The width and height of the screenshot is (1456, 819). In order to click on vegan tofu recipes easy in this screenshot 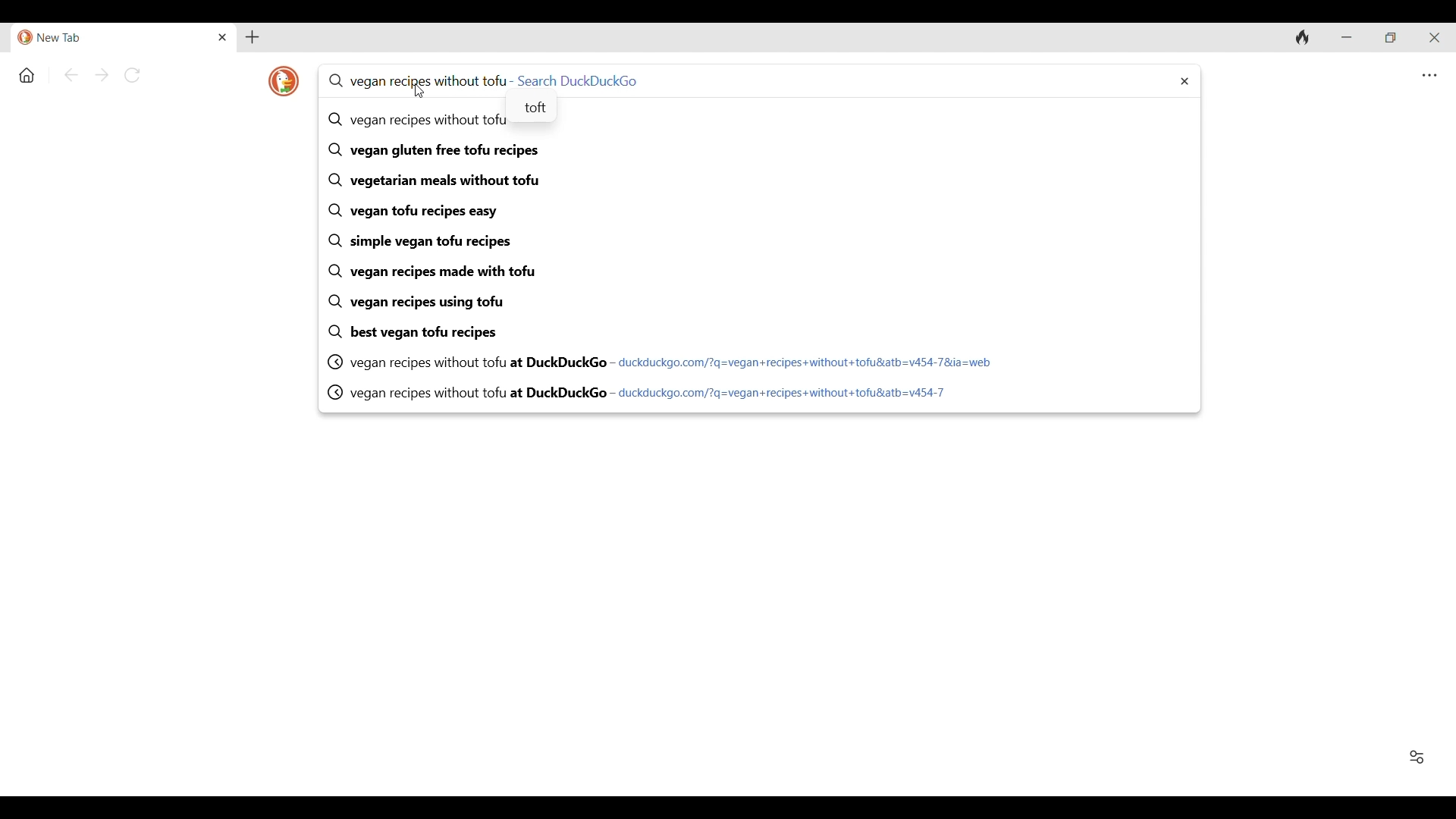, I will do `click(758, 212)`.